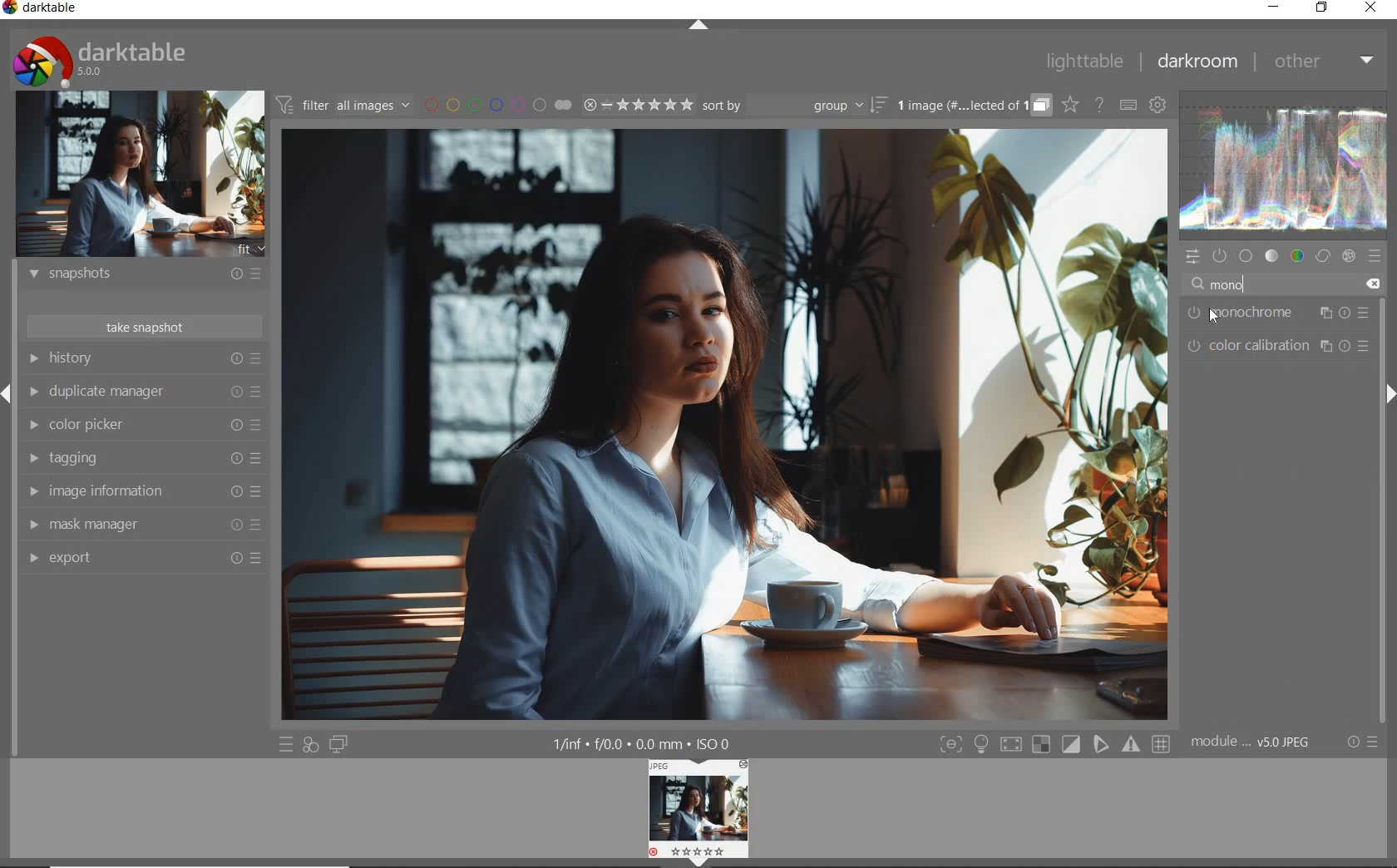 This screenshot has width=1397, height=868. What do you see at coordinates (1376, 256) in the screenshot?
I see `presets` at bounding box center [1376, 256].